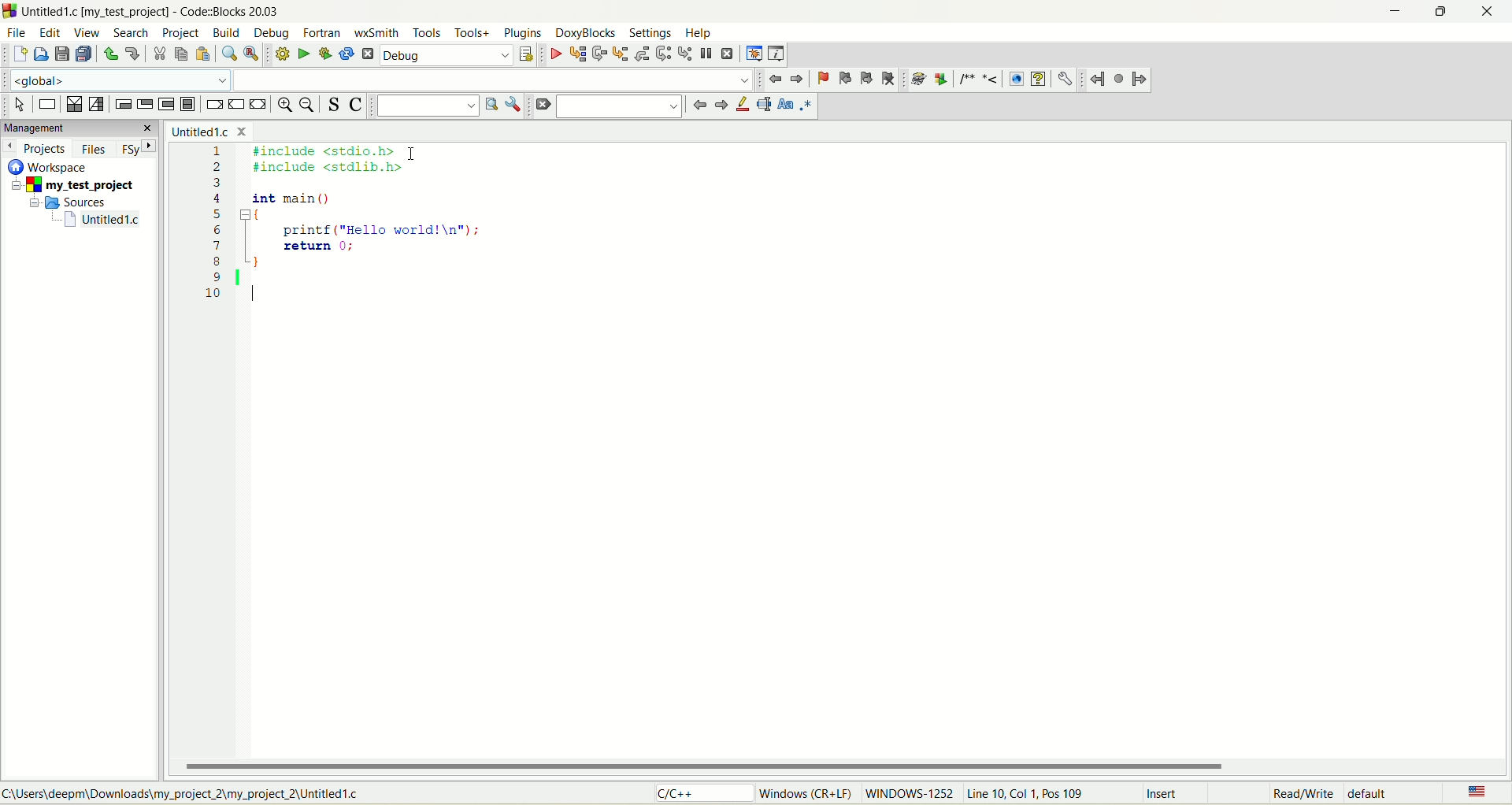 This screenshot has height=805, width=1512. I want to click on new, so click(18, 55).